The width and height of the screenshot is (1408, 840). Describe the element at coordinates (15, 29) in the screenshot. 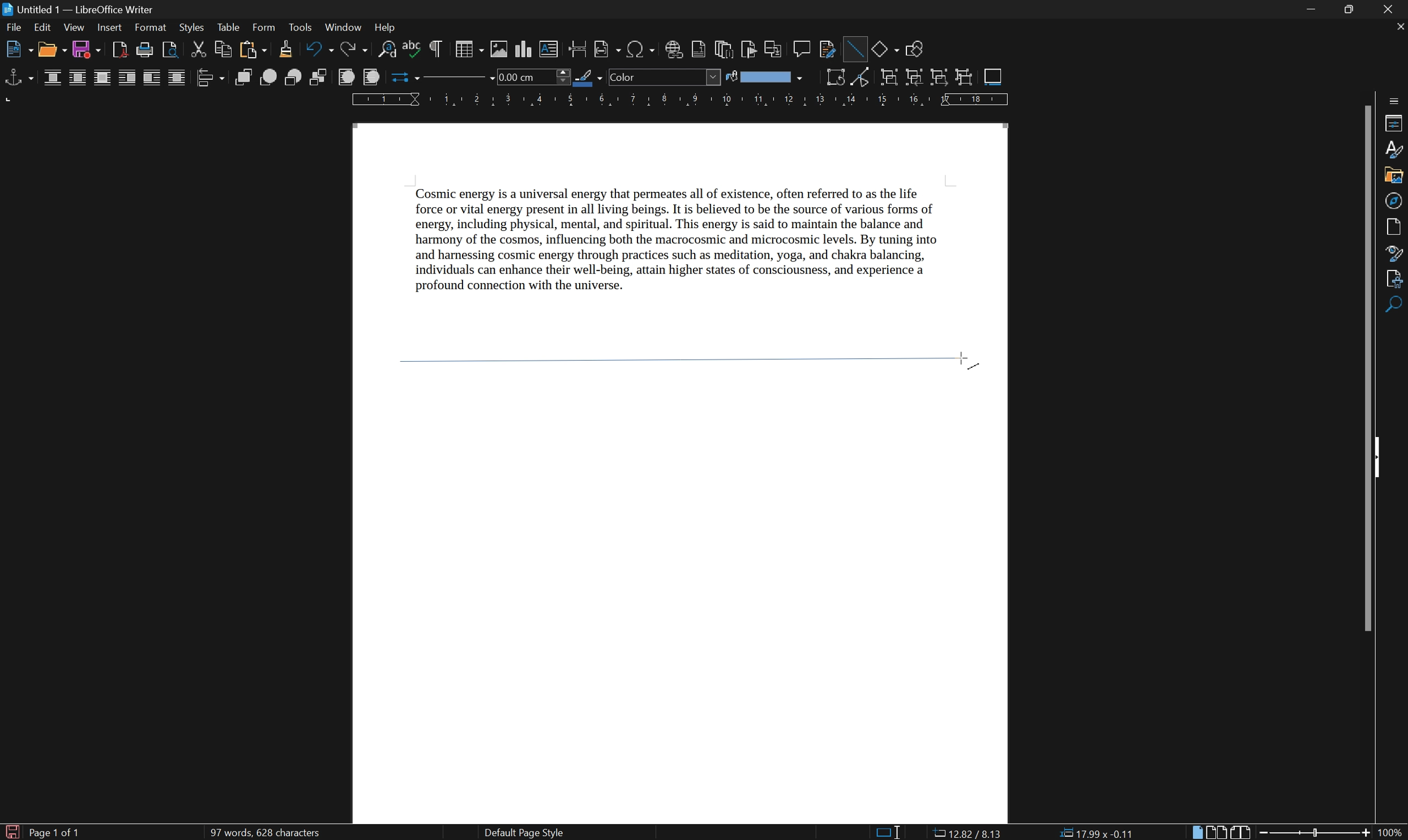

I see `file` at that location.